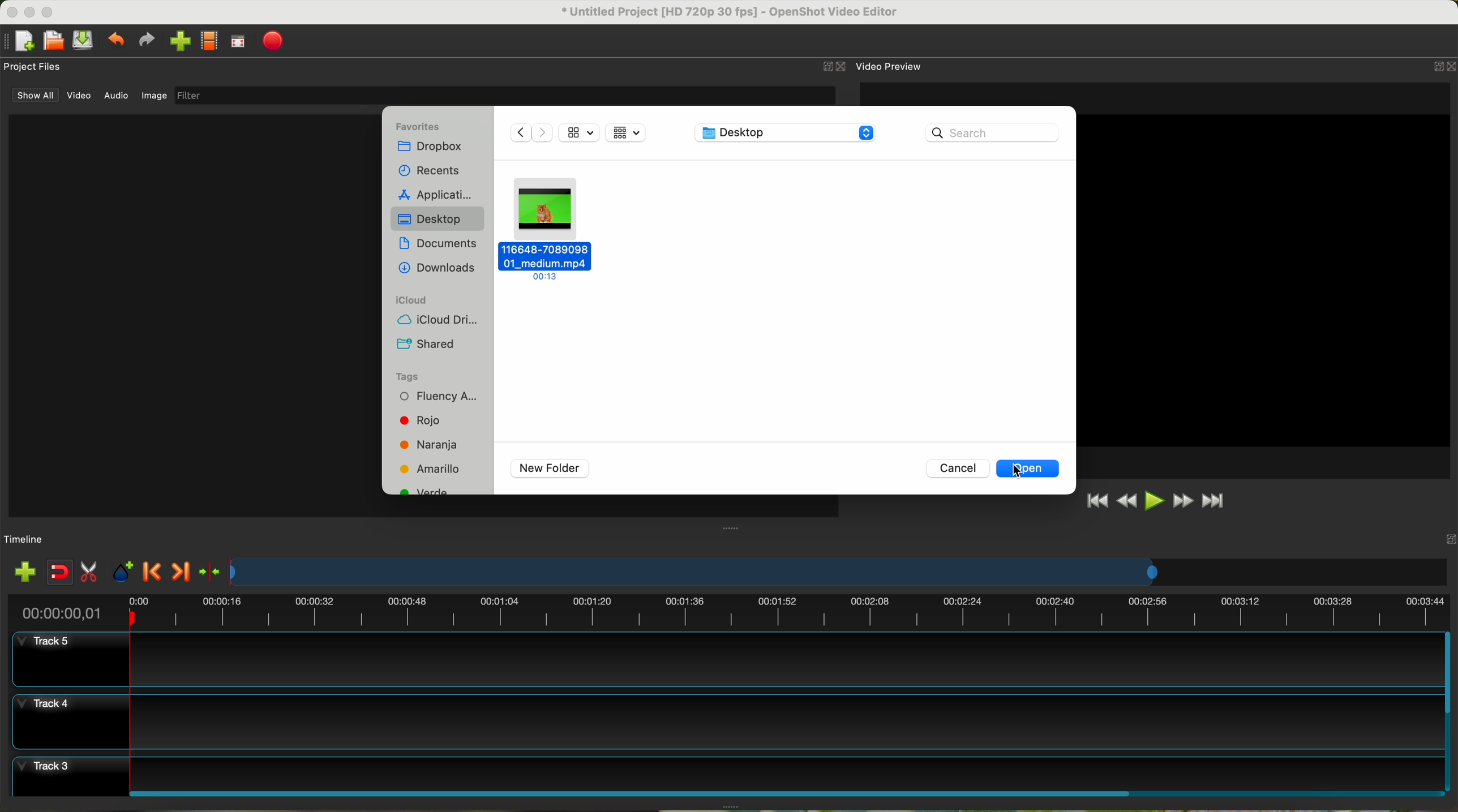 This screenshot has width=1458, height=812. I want to click on tags, so click(406, 377).